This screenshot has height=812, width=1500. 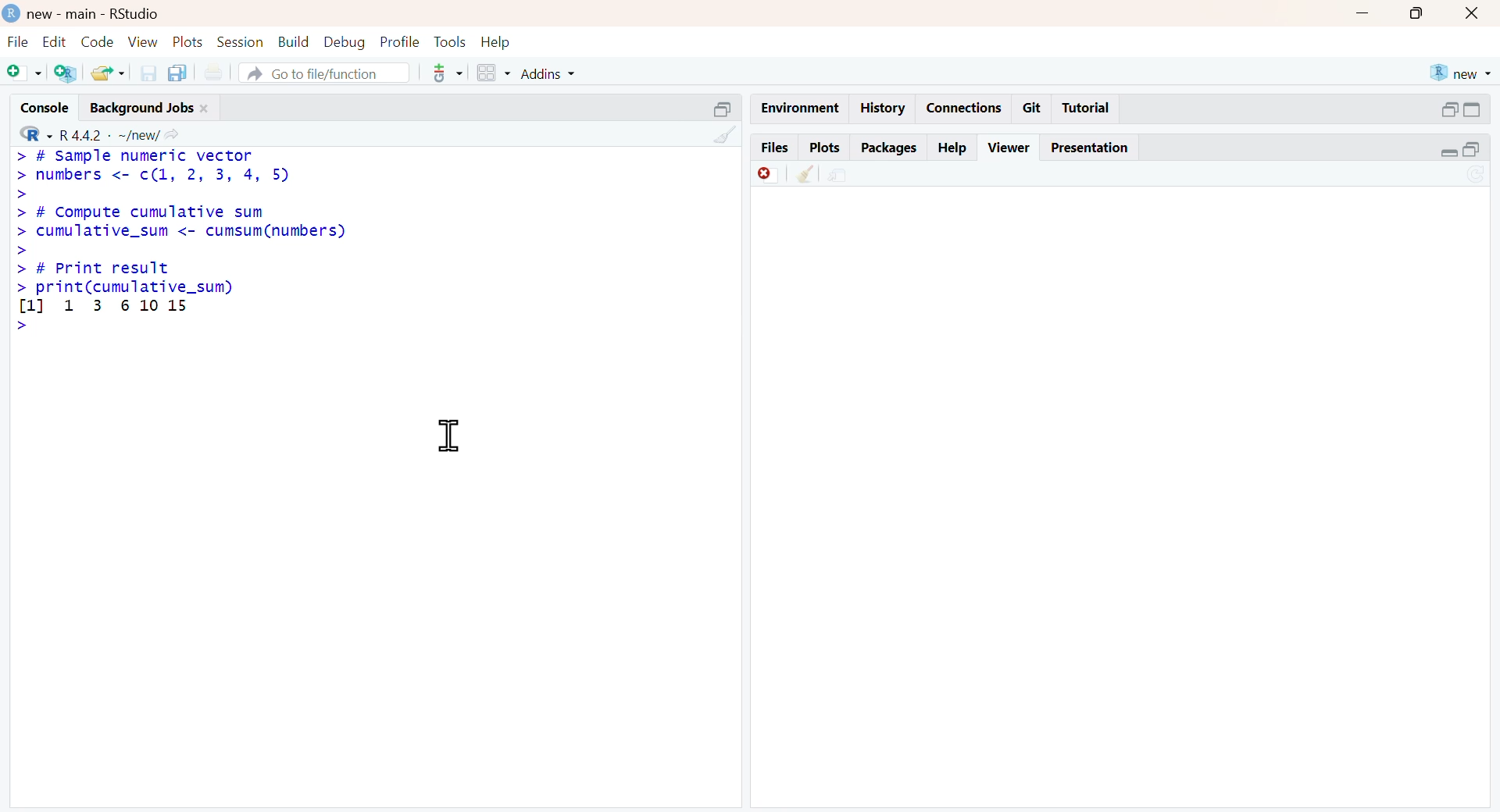 What do you see at coordinates (1031, 109) in the screenshot?
I see `Git` at bounding box center [1031, 109].